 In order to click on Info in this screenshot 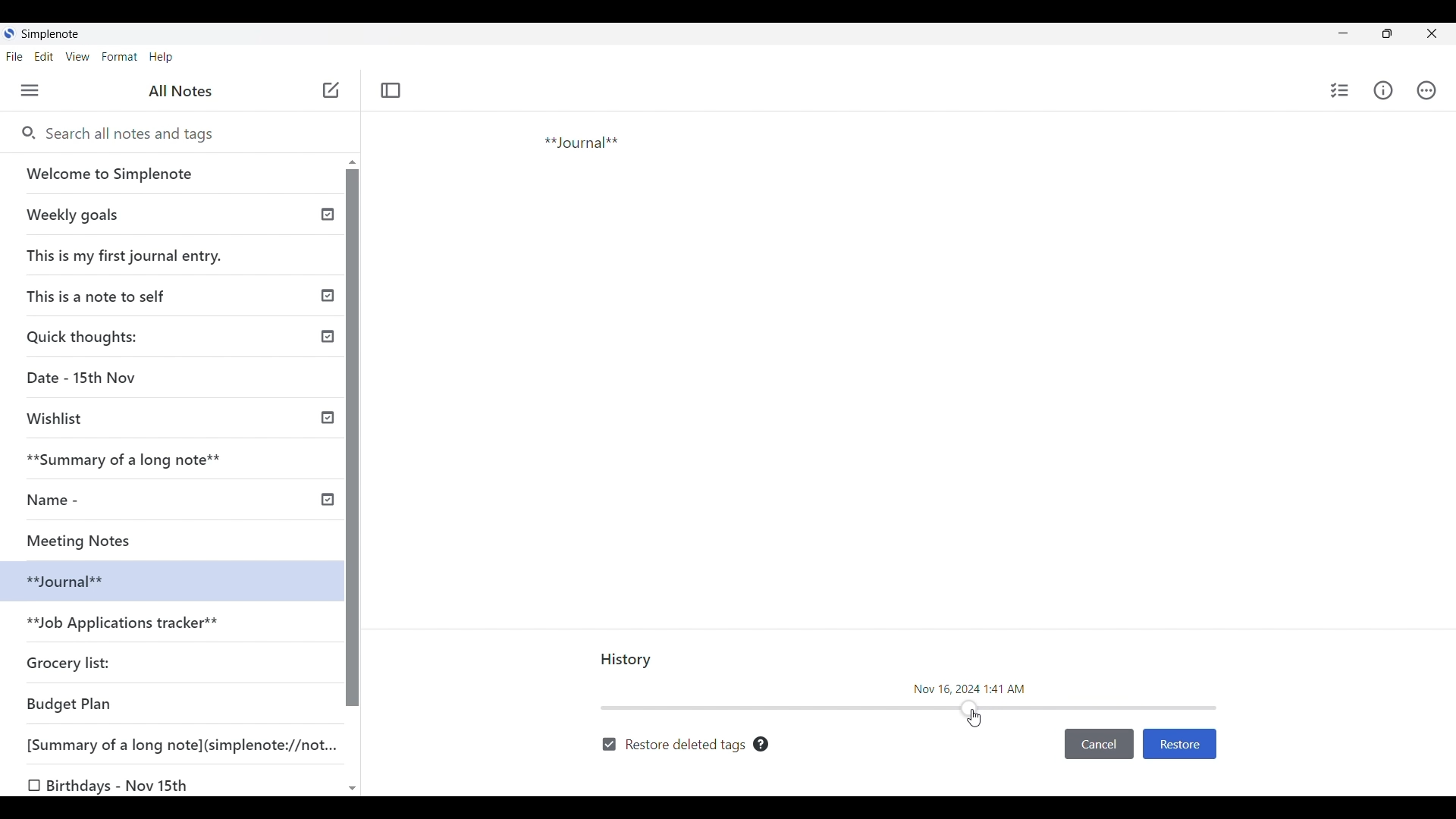, I will do `click(1382, 89)`.